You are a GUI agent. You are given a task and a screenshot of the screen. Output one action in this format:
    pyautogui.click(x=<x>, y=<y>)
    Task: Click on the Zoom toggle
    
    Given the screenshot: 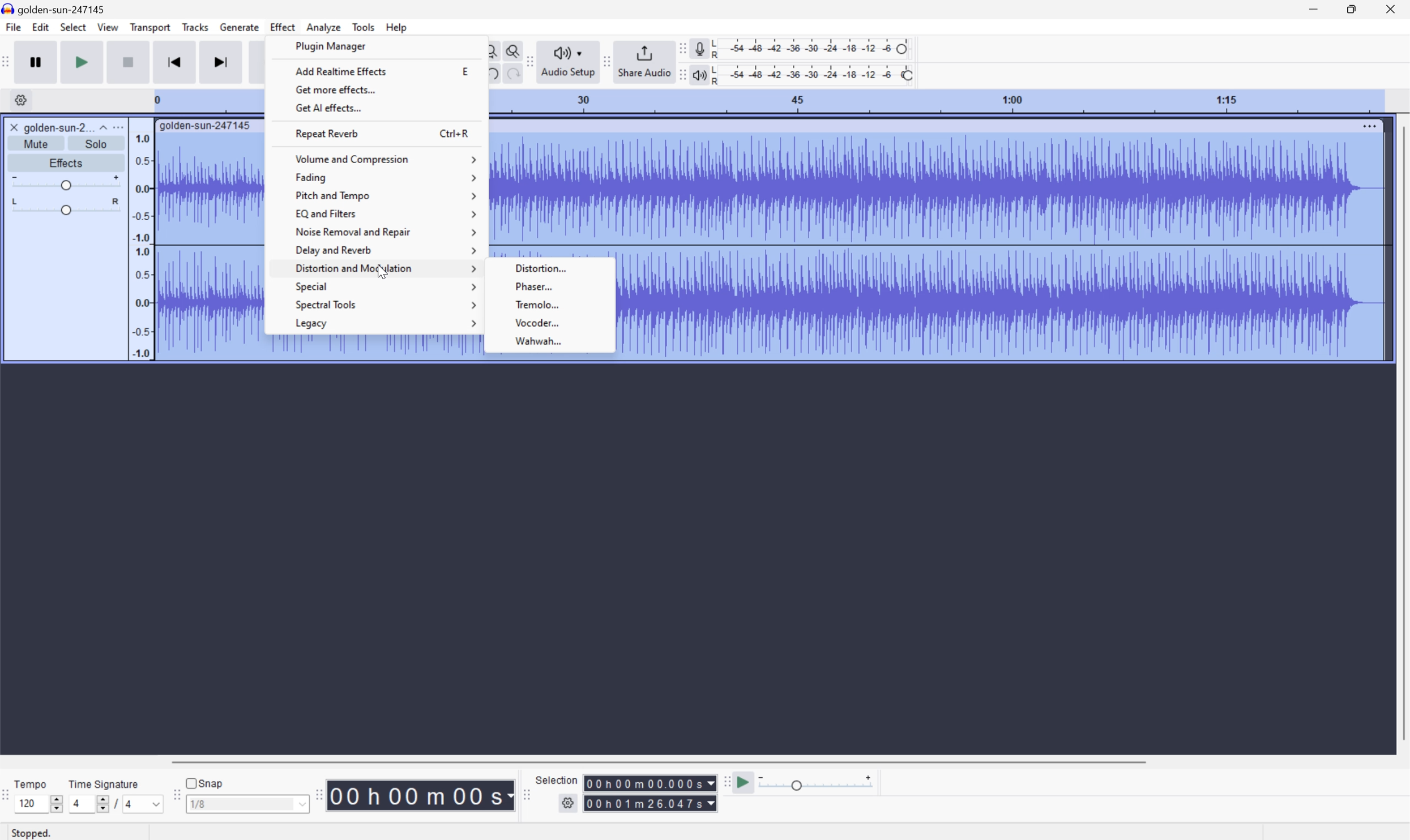 What is the action you would take?
    pyautogui.click(x=510, y=50)
    